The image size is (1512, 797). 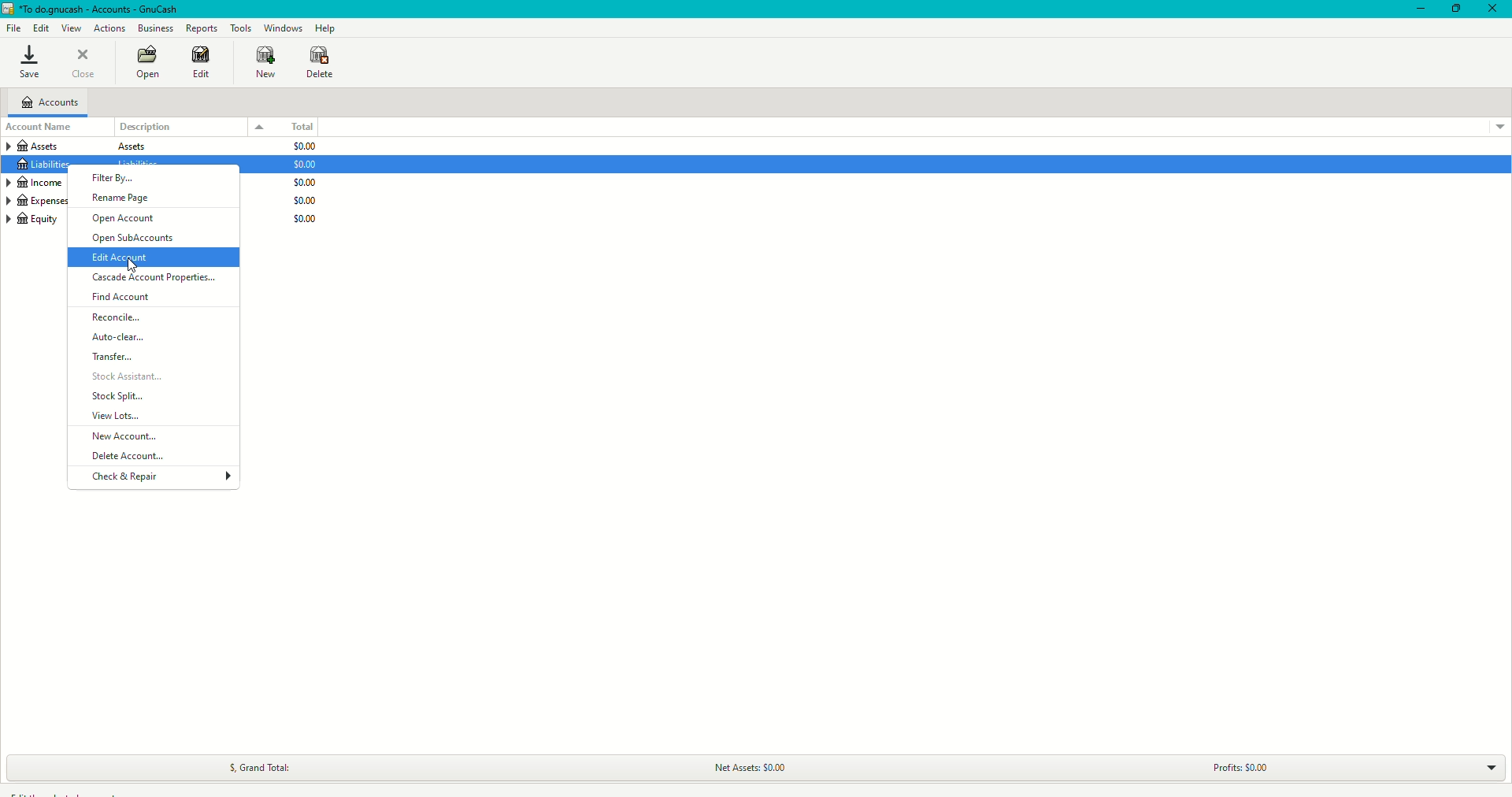 I want to click on Check and Repair, so click(x=128, y=478).